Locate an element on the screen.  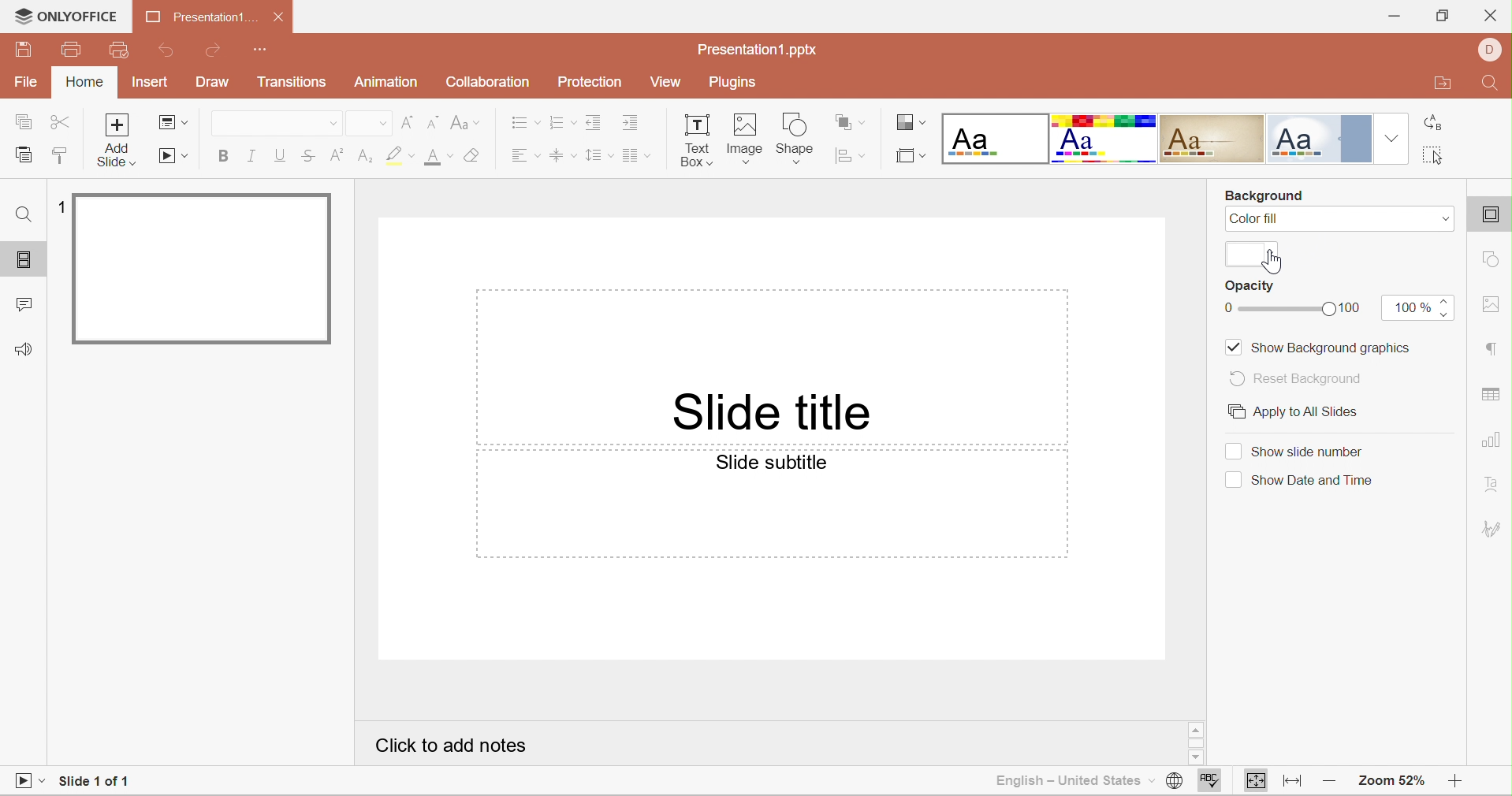
Bullets is located at coordinates (526, 121).